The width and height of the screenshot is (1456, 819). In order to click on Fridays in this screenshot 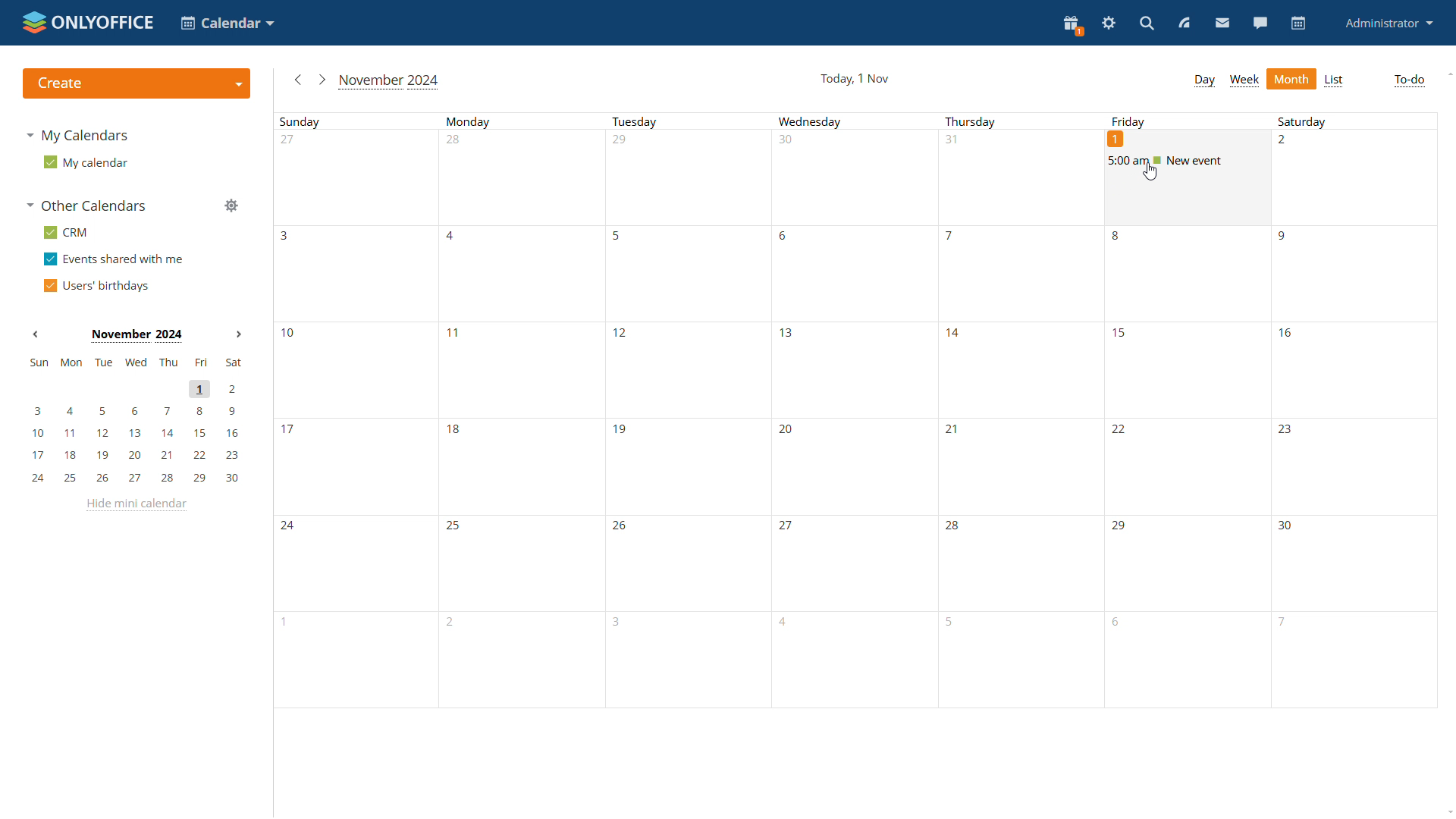, I will do `click(1182, 469)`.